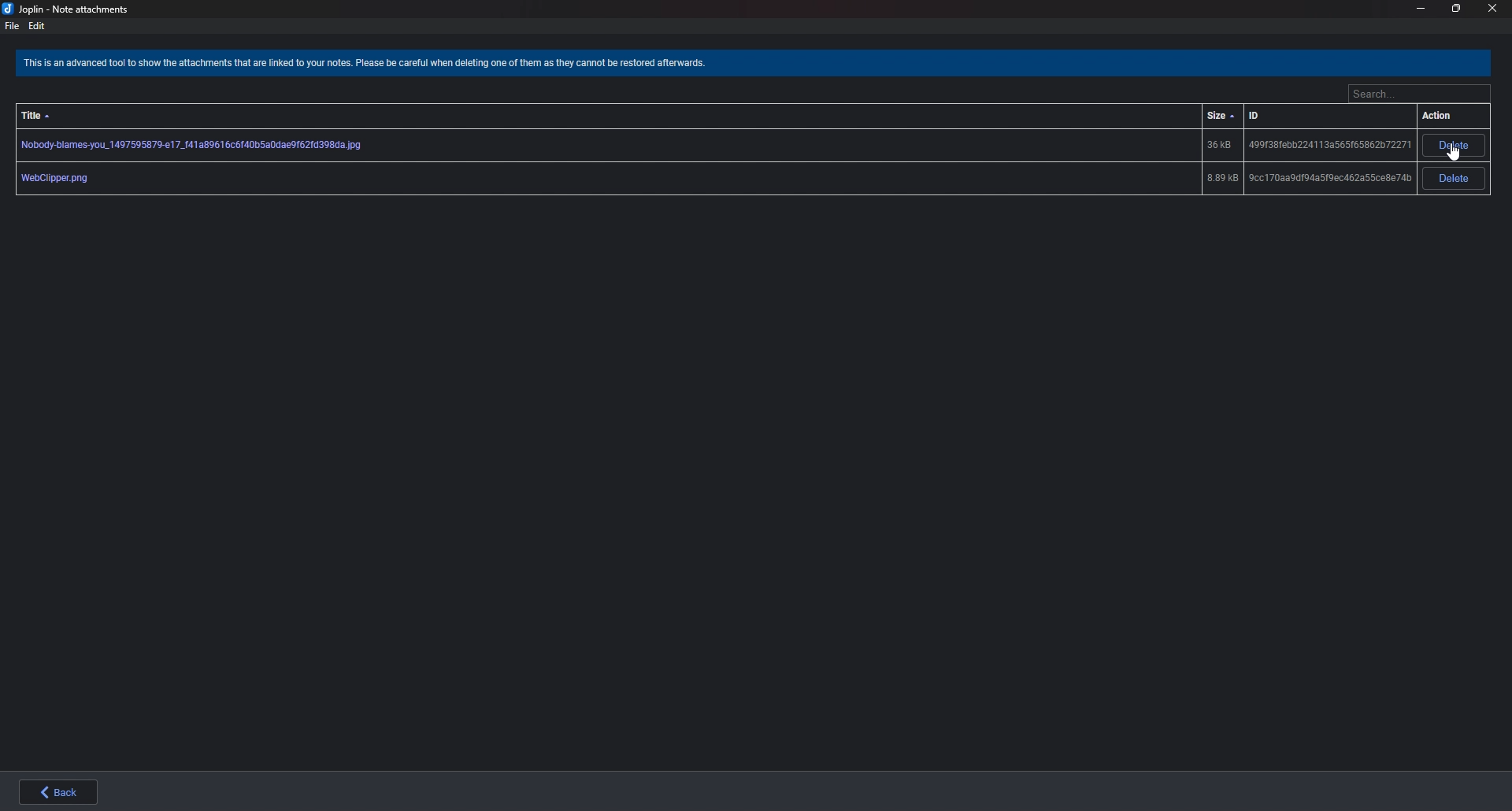 This screenshot has width=1512, height=811. Describe the element at coordinates (1493, 9) in the screenshot. I see `close` at that location.